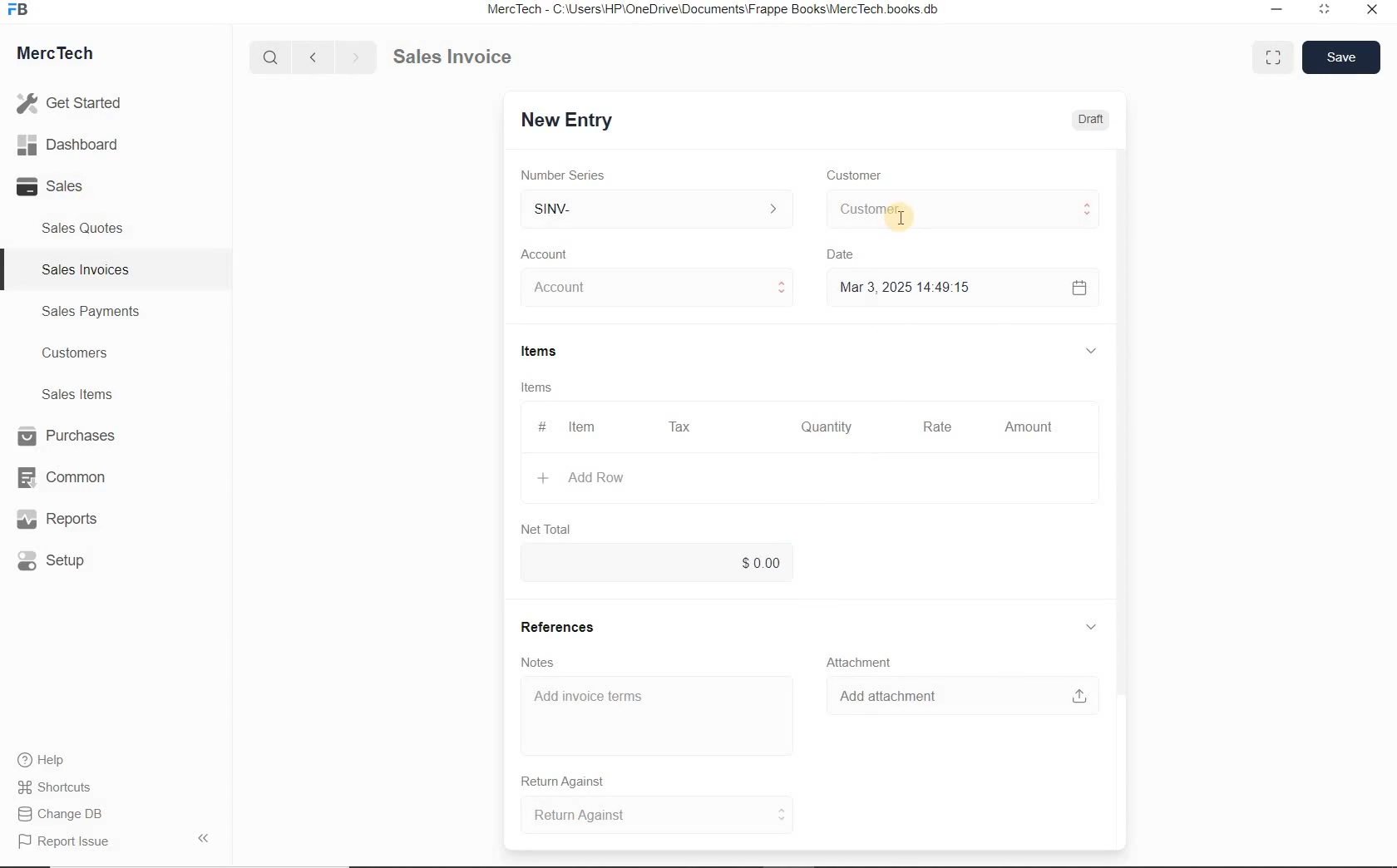 The height and width of the screenshot is (868, 1397). What do you see at coordinates (1269, 56) in the screenshot?
I see `Toggle between form and full width` at bounding box center [1269, 56].